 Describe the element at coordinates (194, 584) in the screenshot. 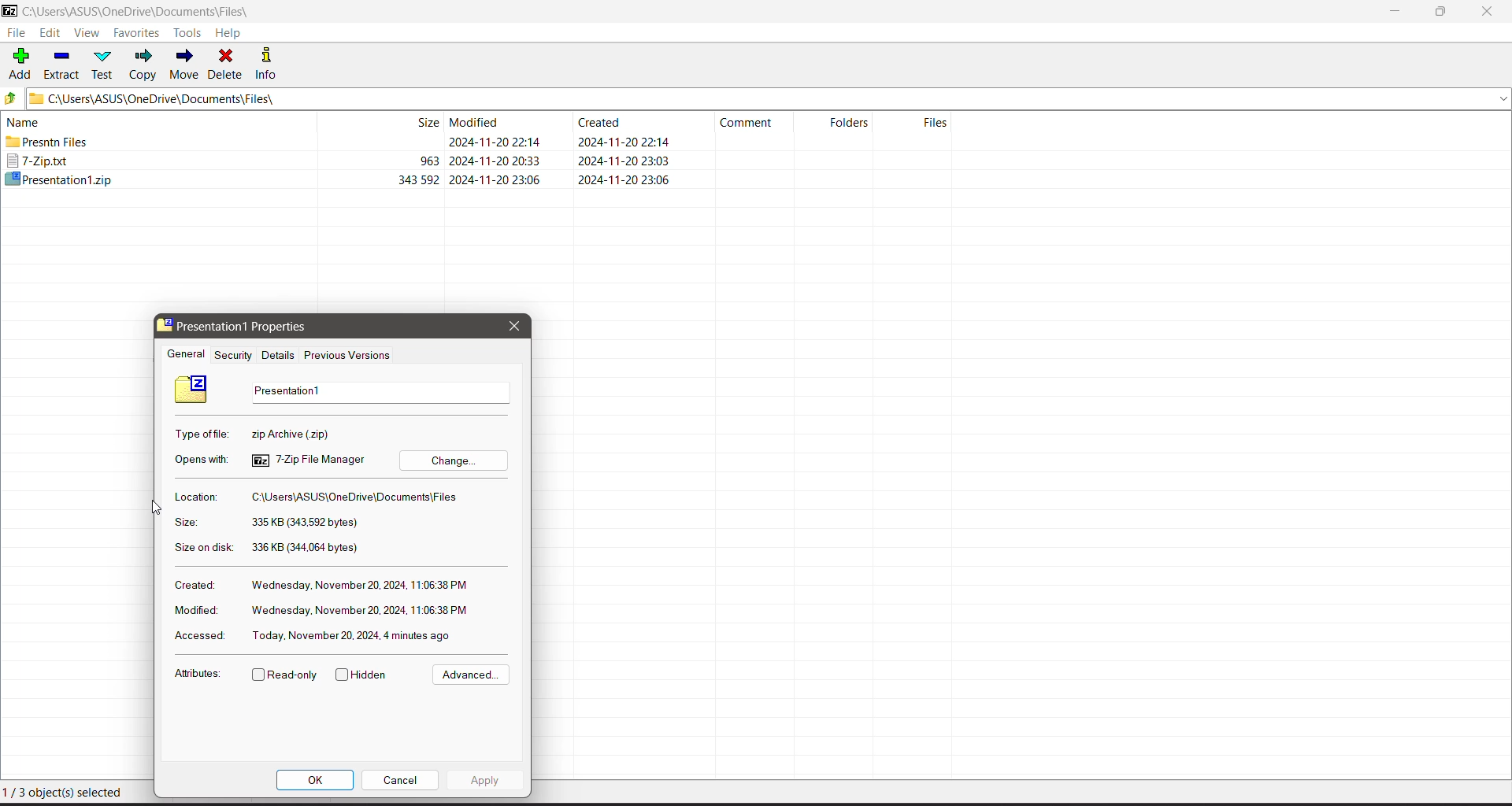

I see `Created` at that location.